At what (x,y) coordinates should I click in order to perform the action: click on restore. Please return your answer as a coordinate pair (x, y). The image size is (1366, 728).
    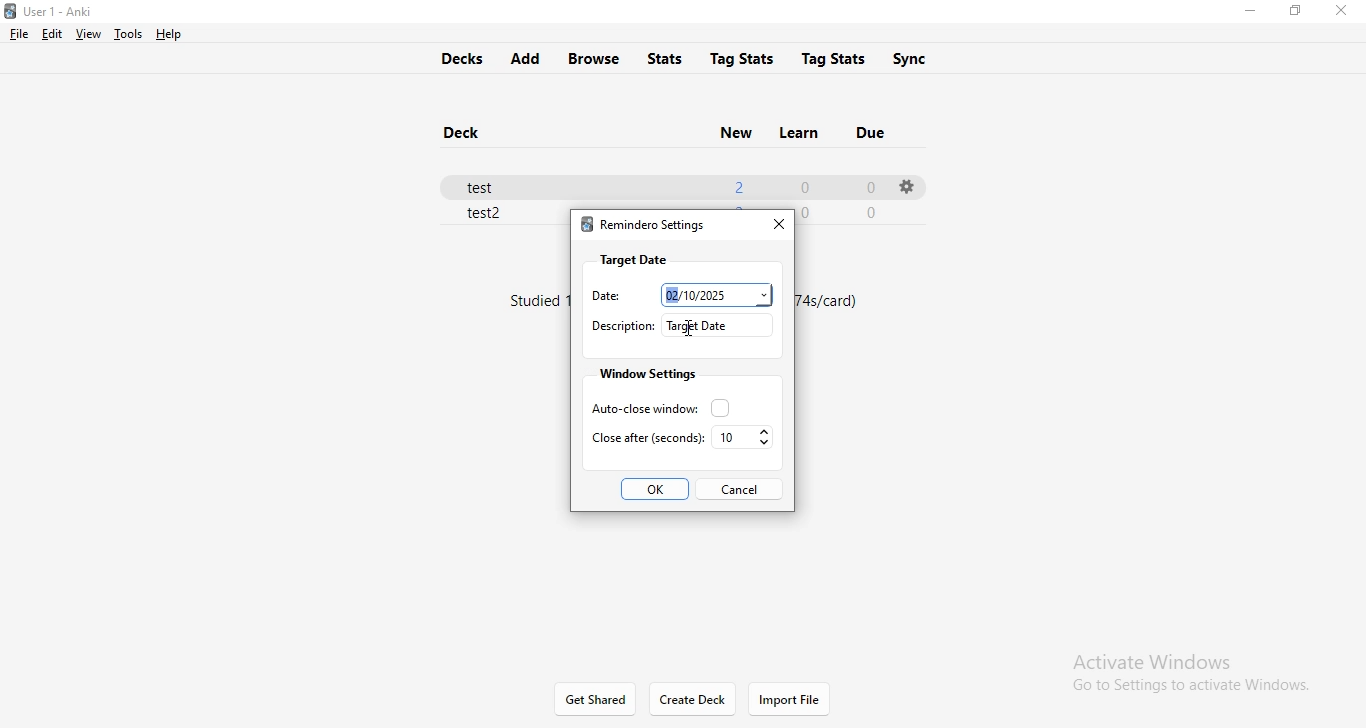
    Looking at the image, I should click on (1294, 11).